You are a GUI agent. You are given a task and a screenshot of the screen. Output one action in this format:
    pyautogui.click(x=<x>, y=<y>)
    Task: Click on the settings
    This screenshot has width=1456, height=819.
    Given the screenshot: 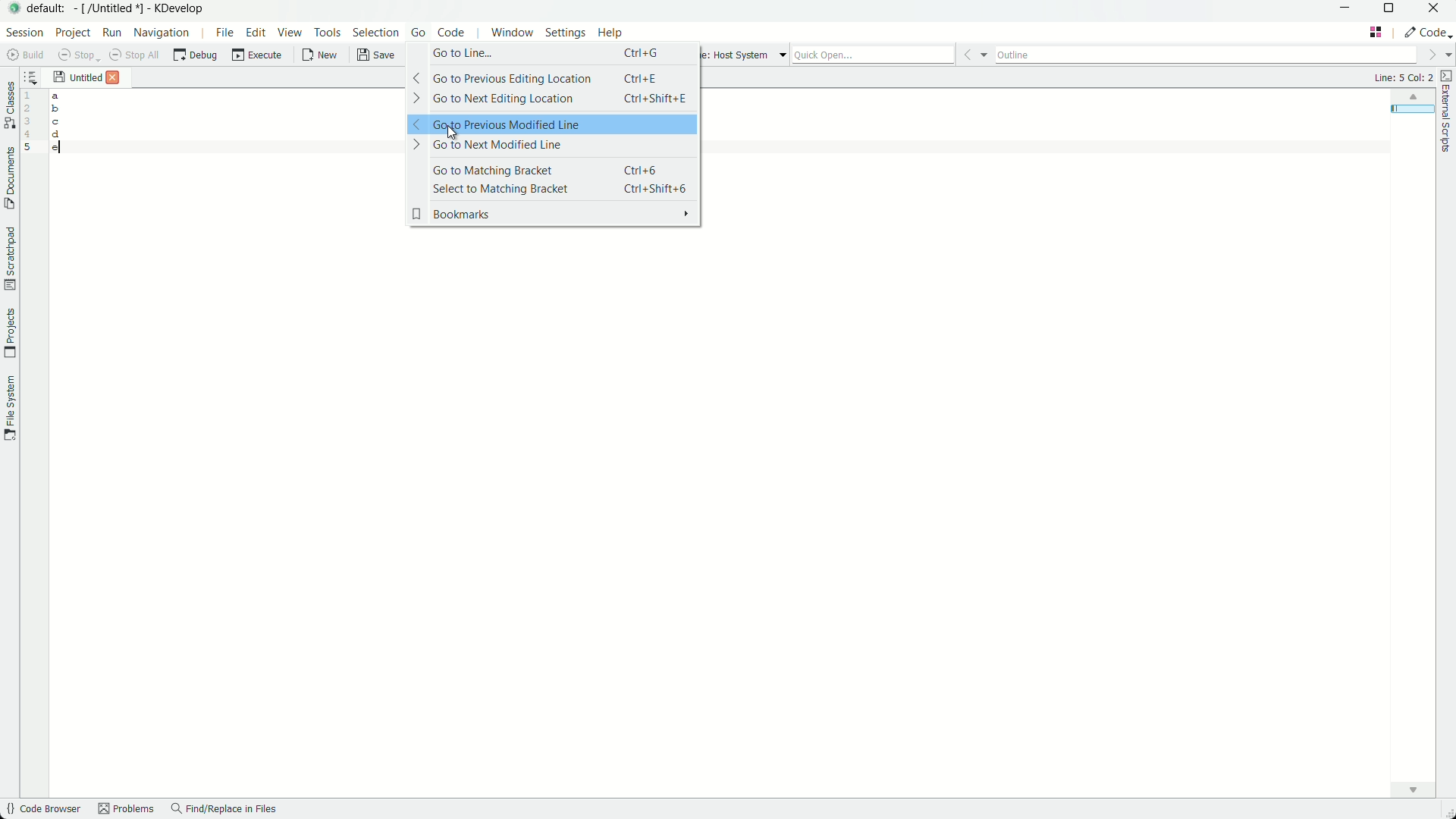 What is the action you would take?
    pyautogui.click(x=563, y=35)
    